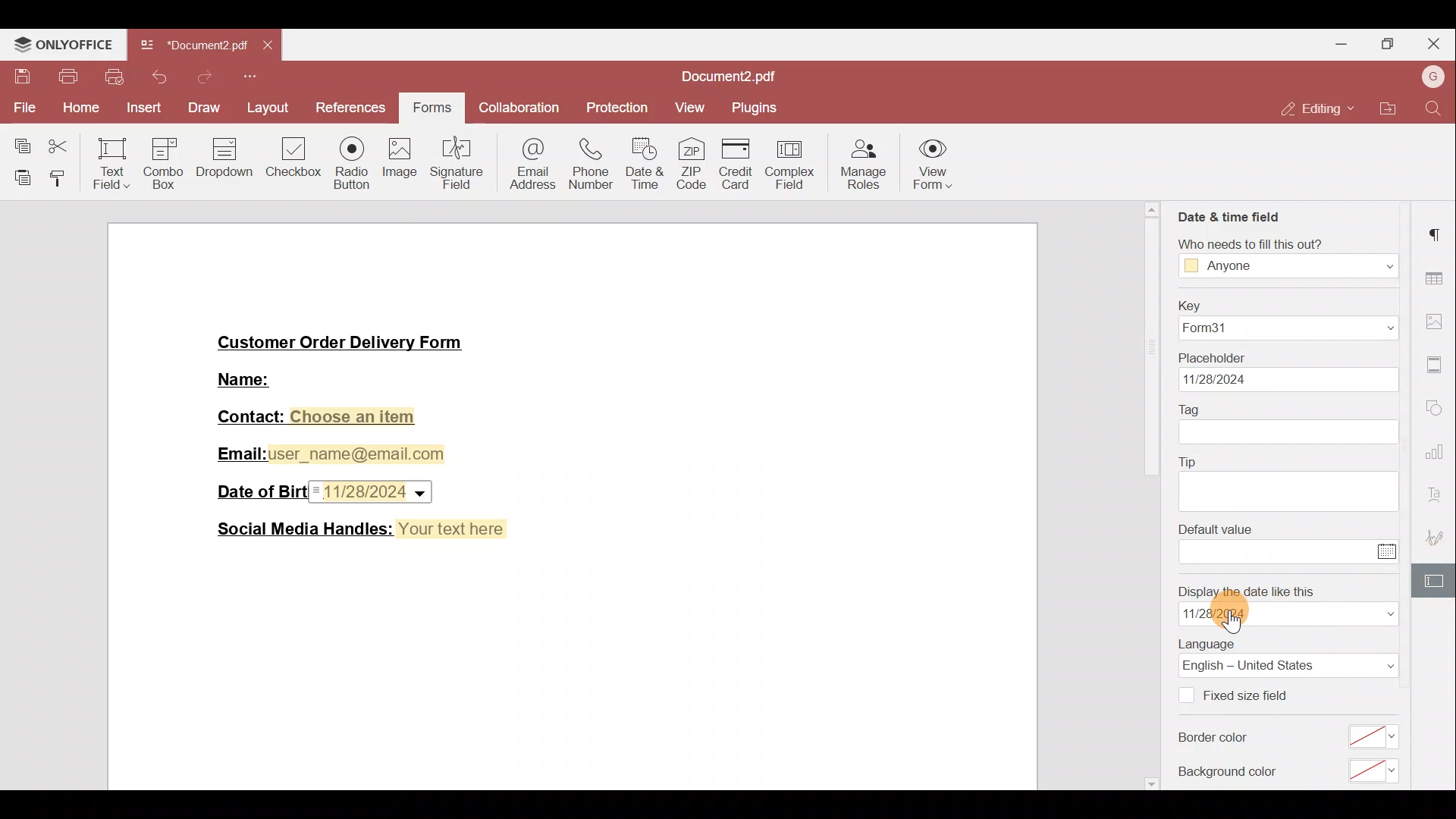 Image resolution: width=1456 pixels, height=819 pixels. I want to click on Signature field, so click(459, 161).